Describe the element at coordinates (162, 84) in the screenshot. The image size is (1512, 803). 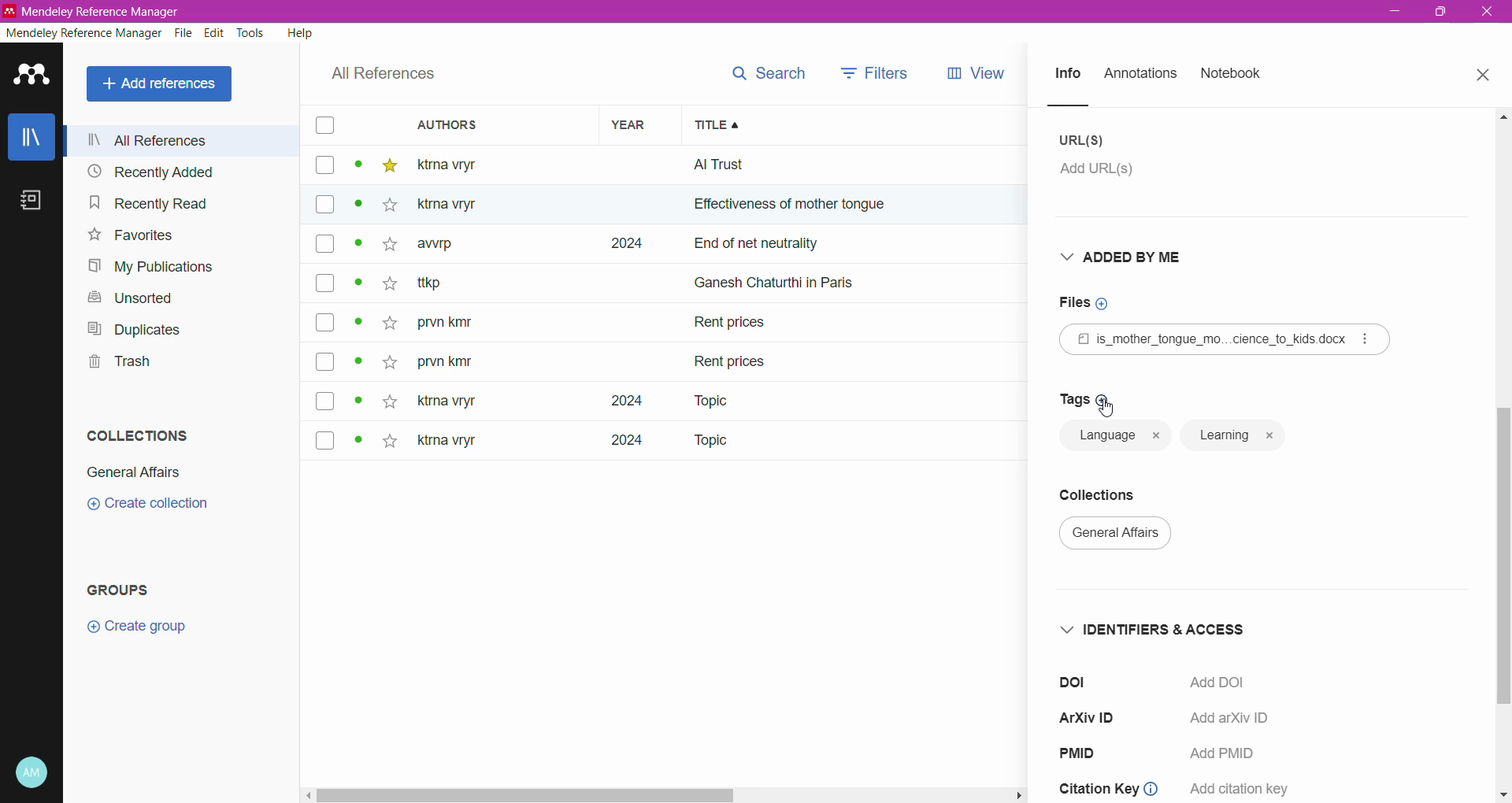
I see `All References` at that location.